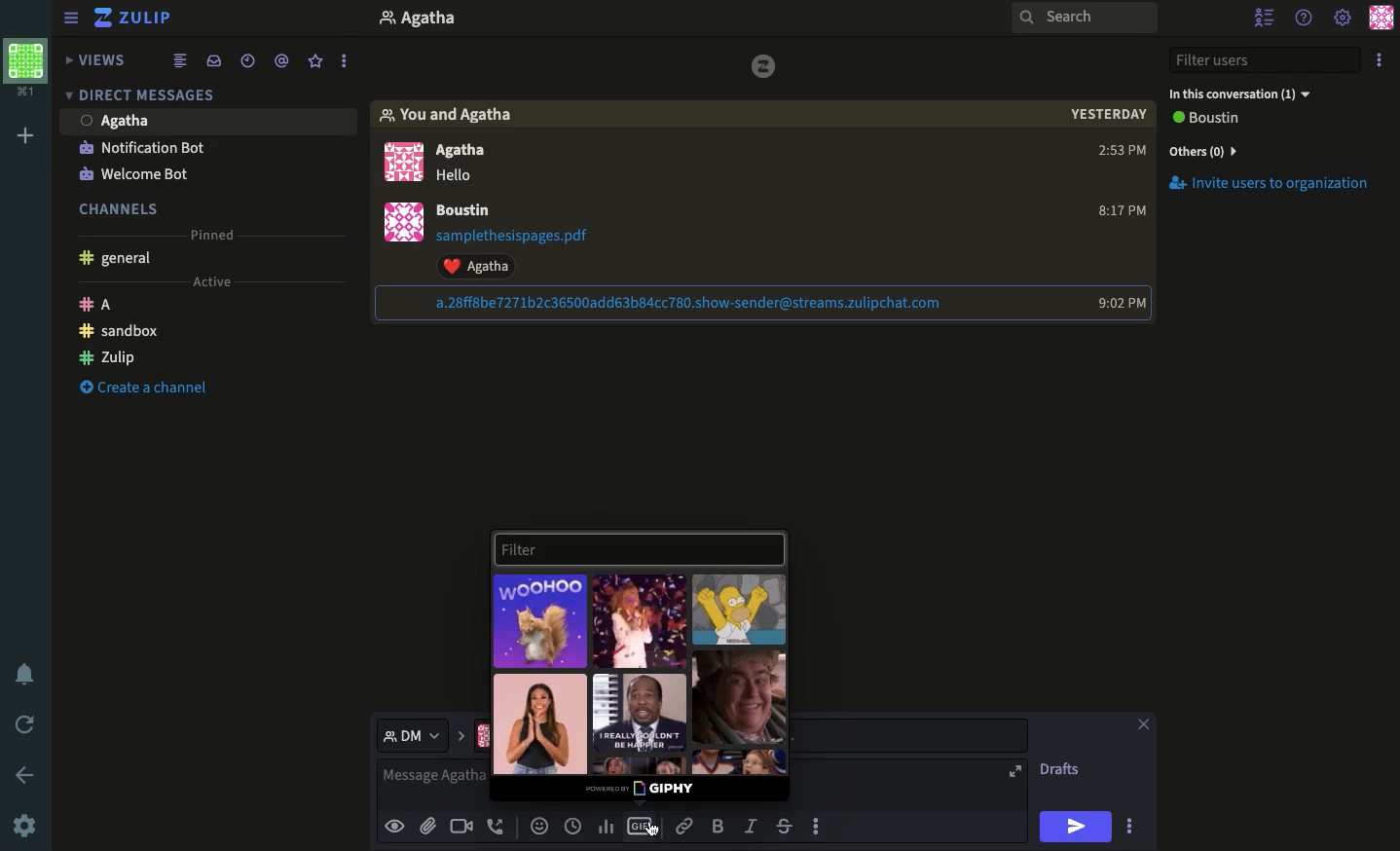 This screenshot has height=851, width=1400. What do you see at coordinates (638, 548) in the screenshot?
I see `Filter` at bounding box center [638, 548].